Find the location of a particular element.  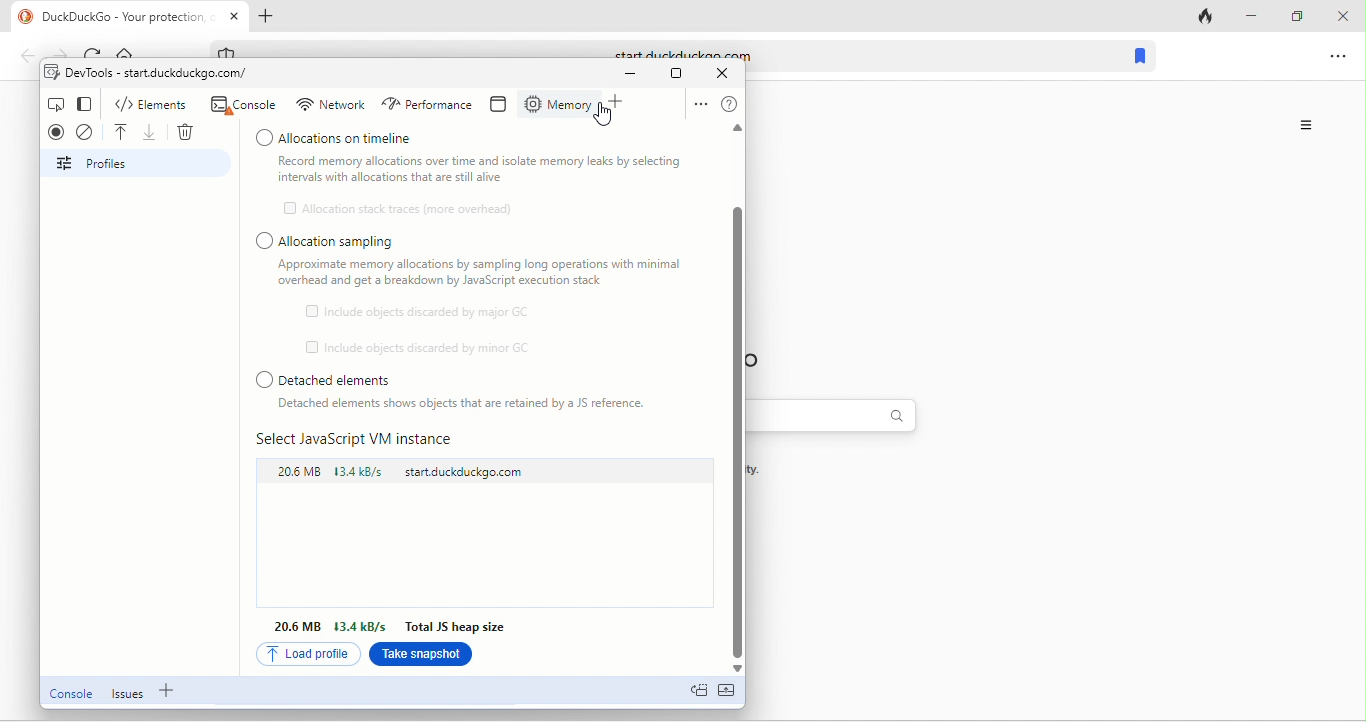

Appropriate memory allocations by sampling long operations is located at coordinates (491, 277).